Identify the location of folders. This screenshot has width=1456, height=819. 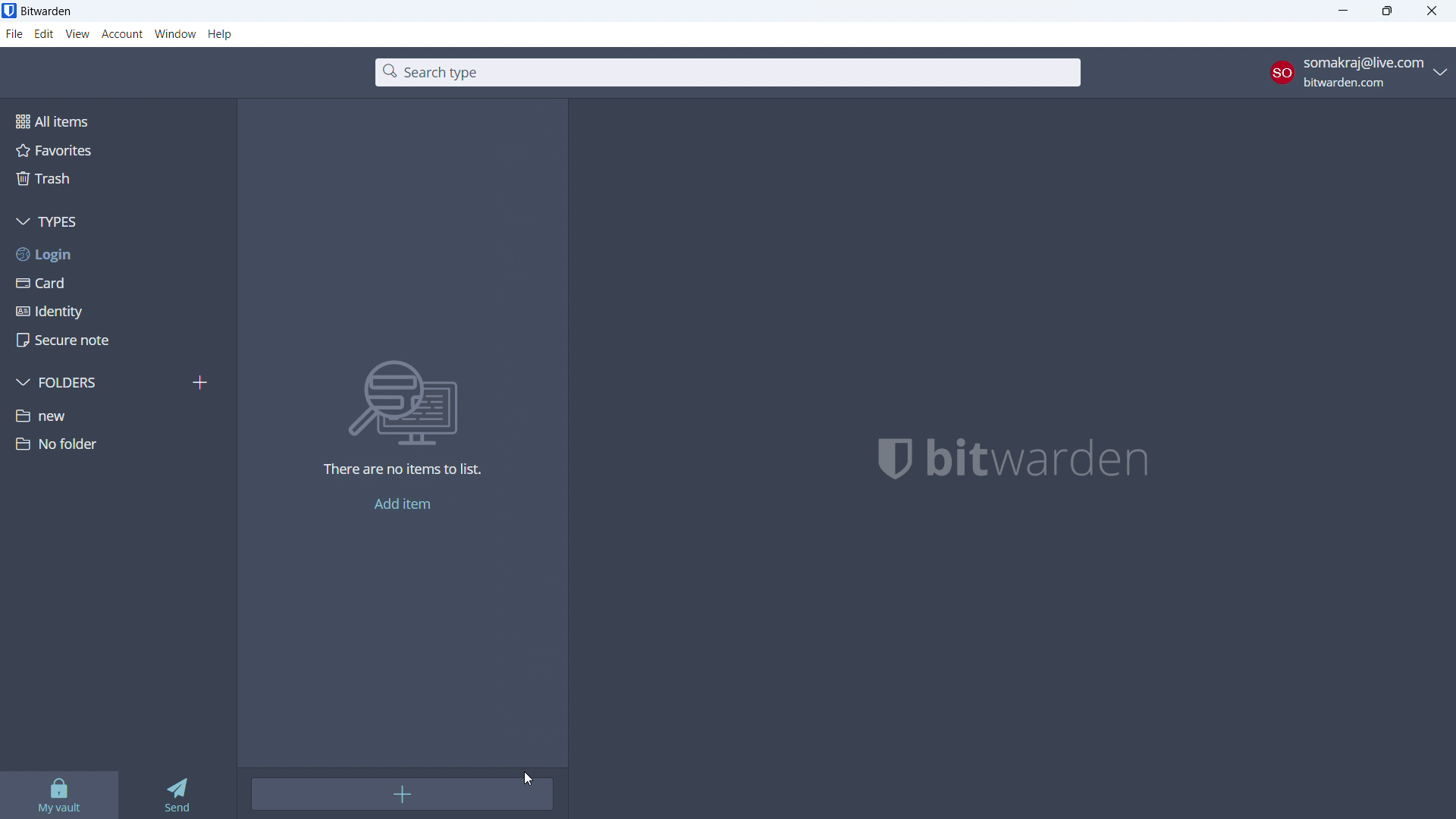
(96, 382).